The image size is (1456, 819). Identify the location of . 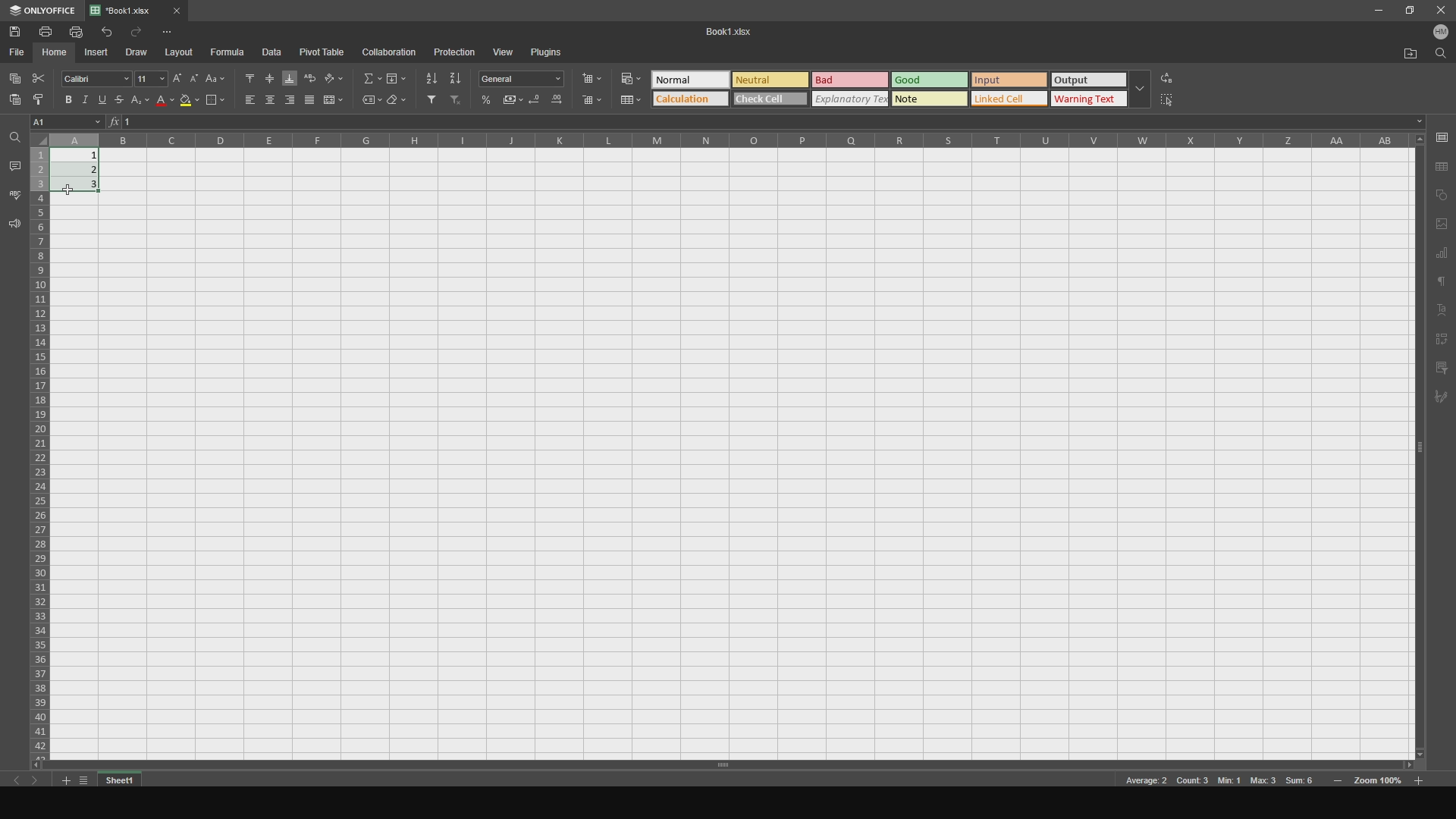
(538, 102).